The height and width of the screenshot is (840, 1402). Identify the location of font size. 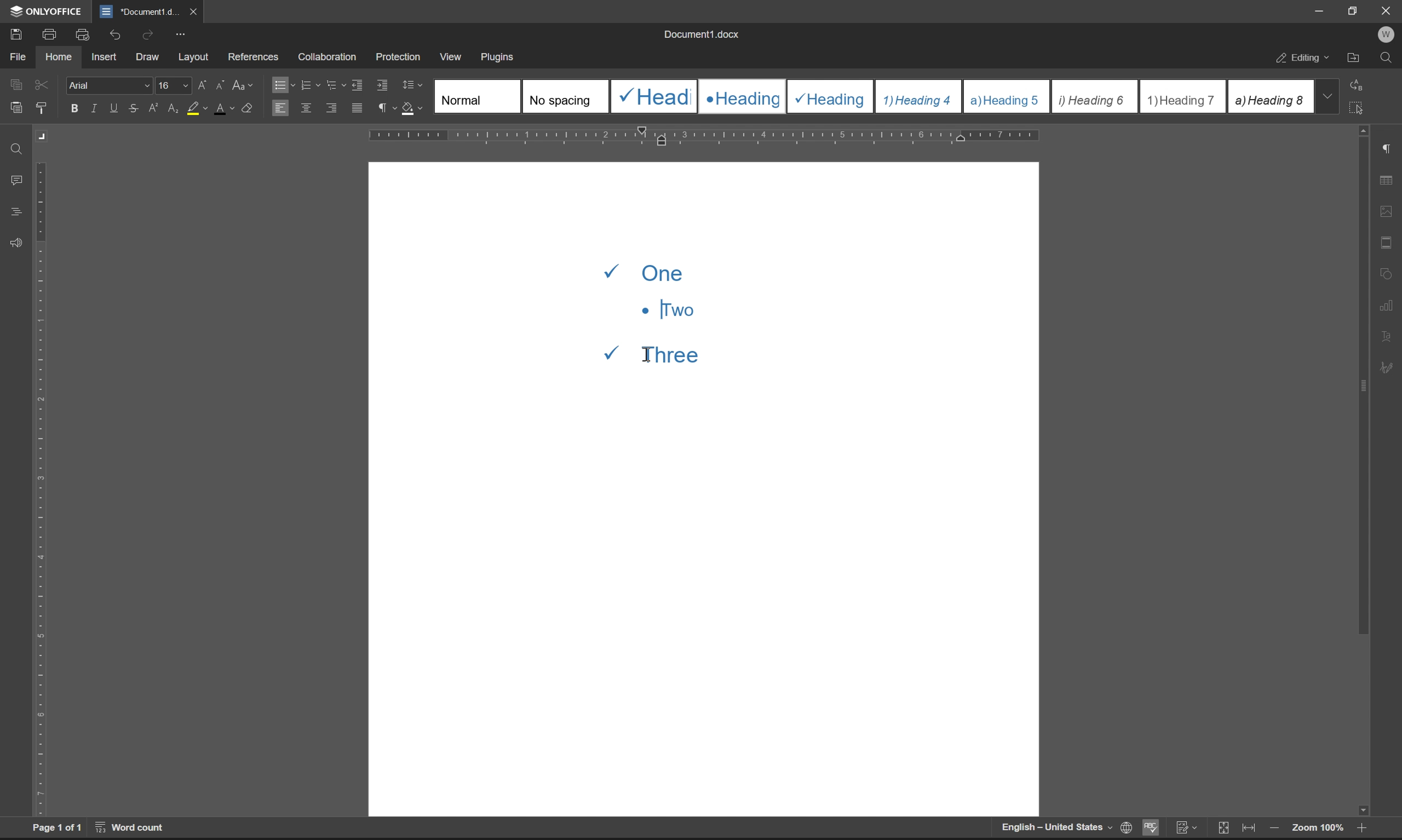
(171, 84).